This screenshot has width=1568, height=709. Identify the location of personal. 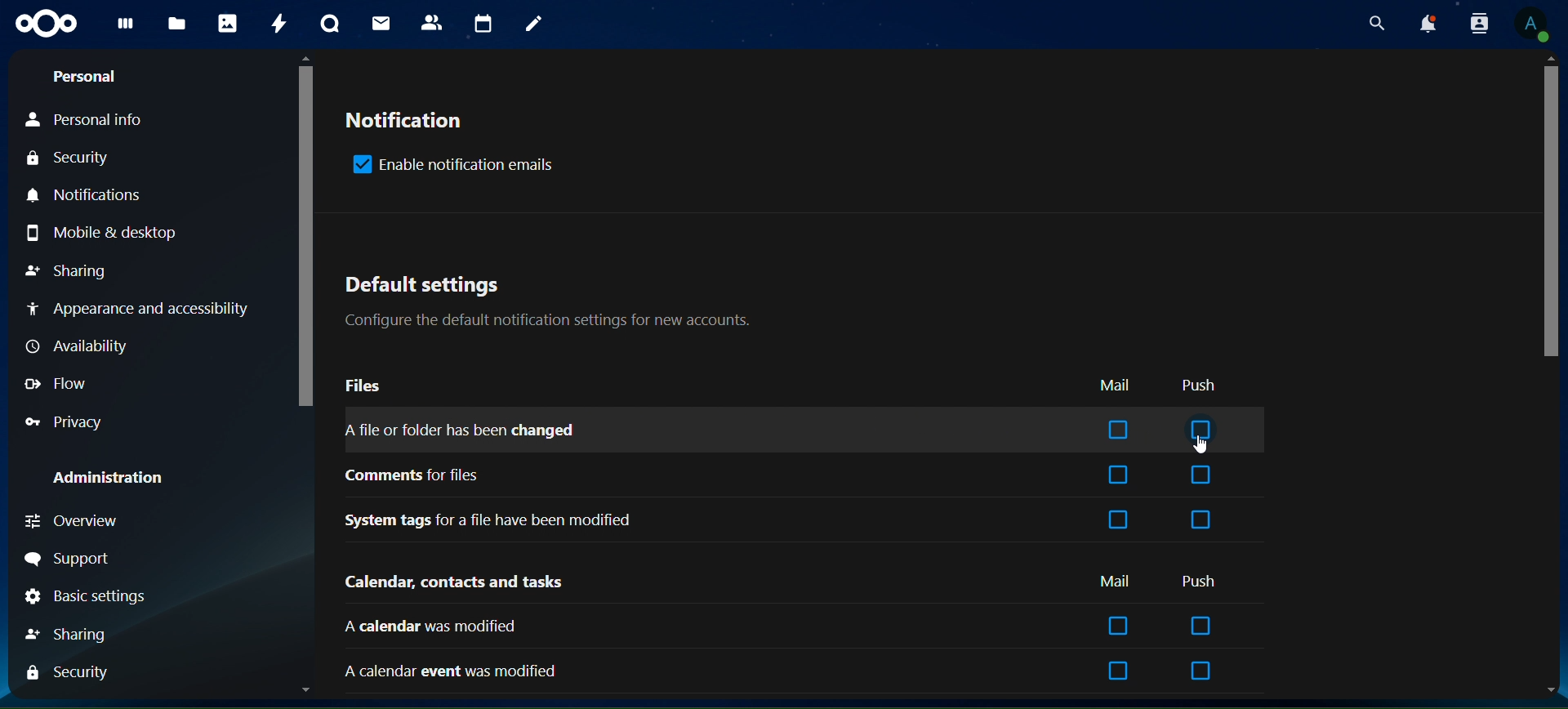
(106, 78).